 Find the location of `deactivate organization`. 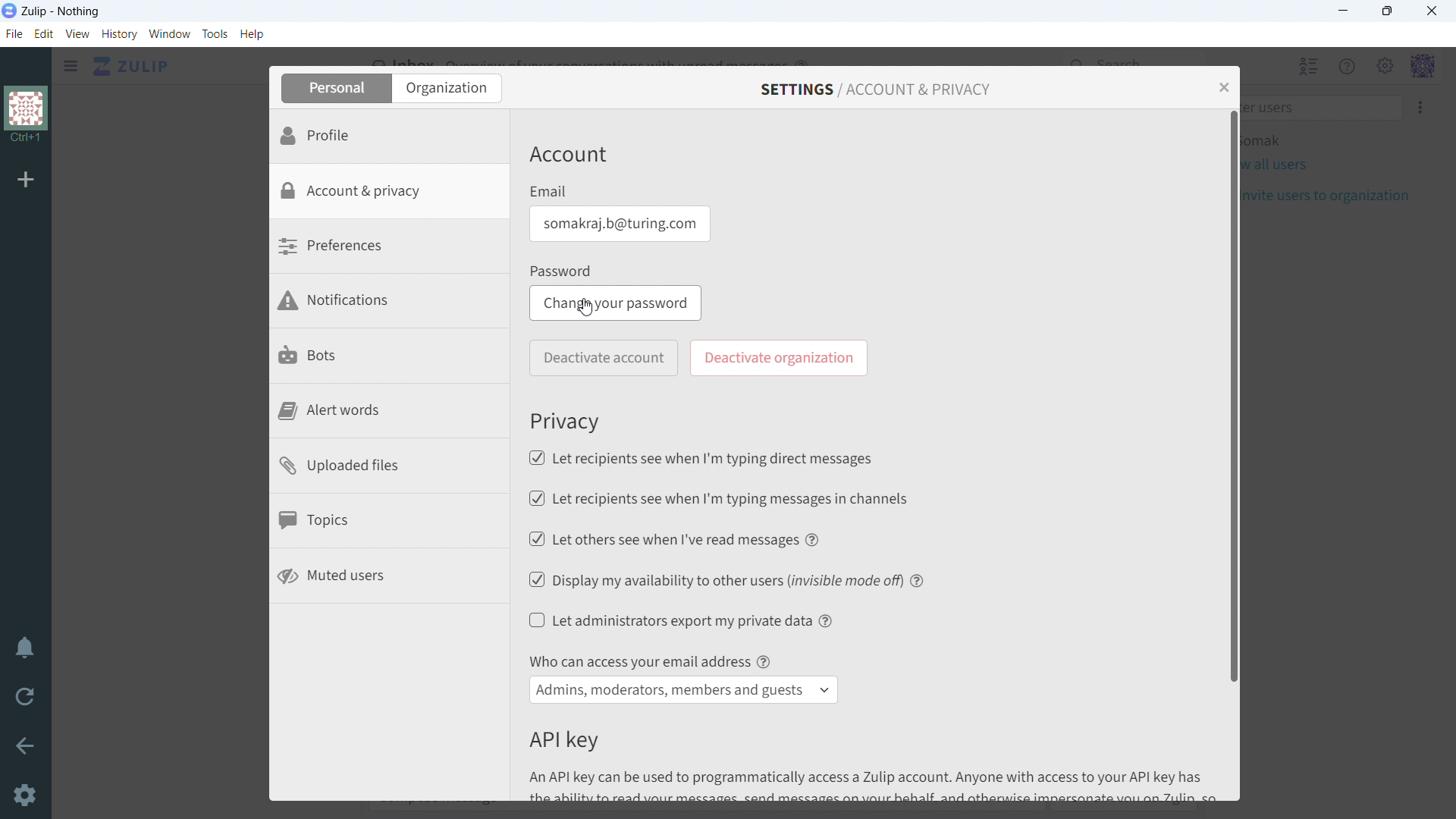

deactivate organization is located at coordinates (780, 357).